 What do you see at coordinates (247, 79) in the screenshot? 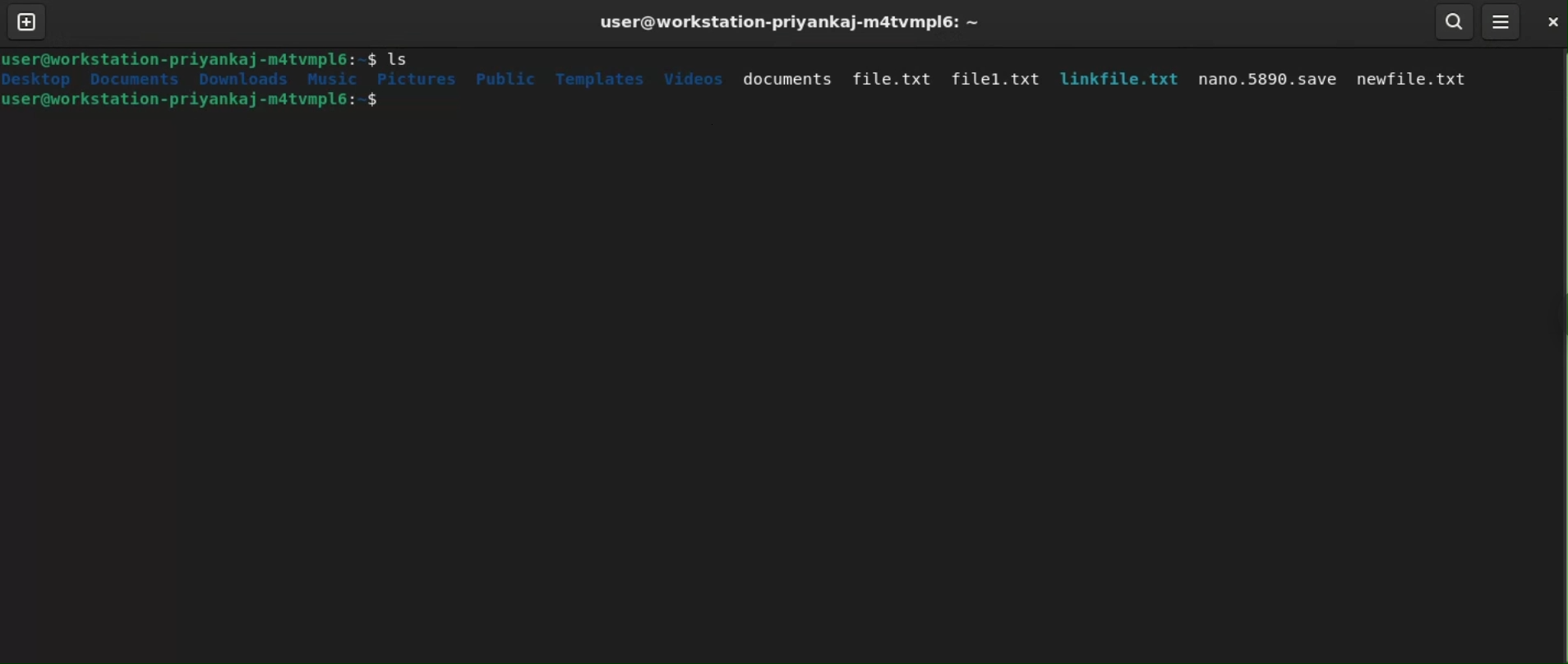
I see `downloads` at bounding box center [247, 79].